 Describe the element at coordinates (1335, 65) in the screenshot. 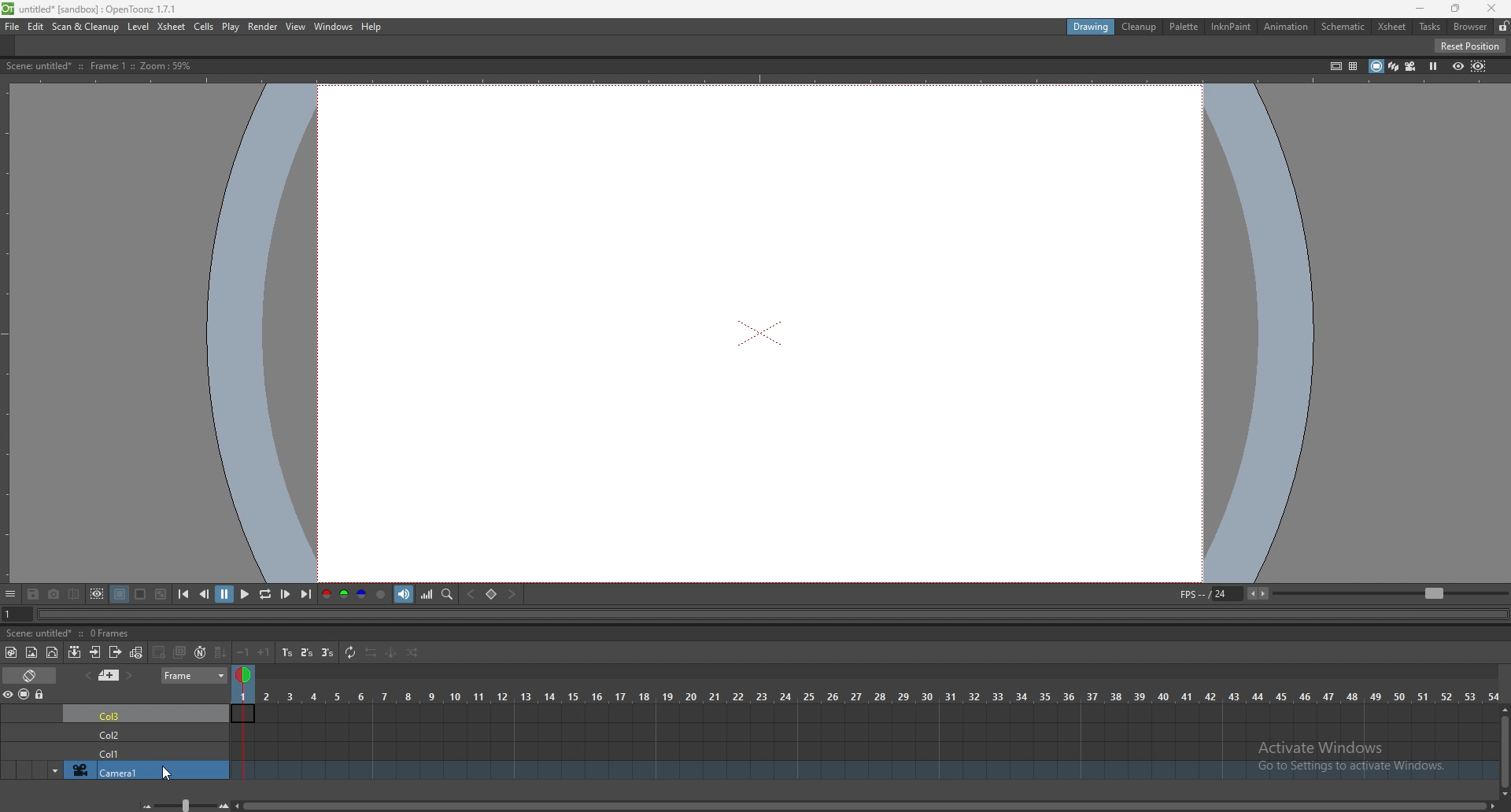

I see `safe area` at that location.